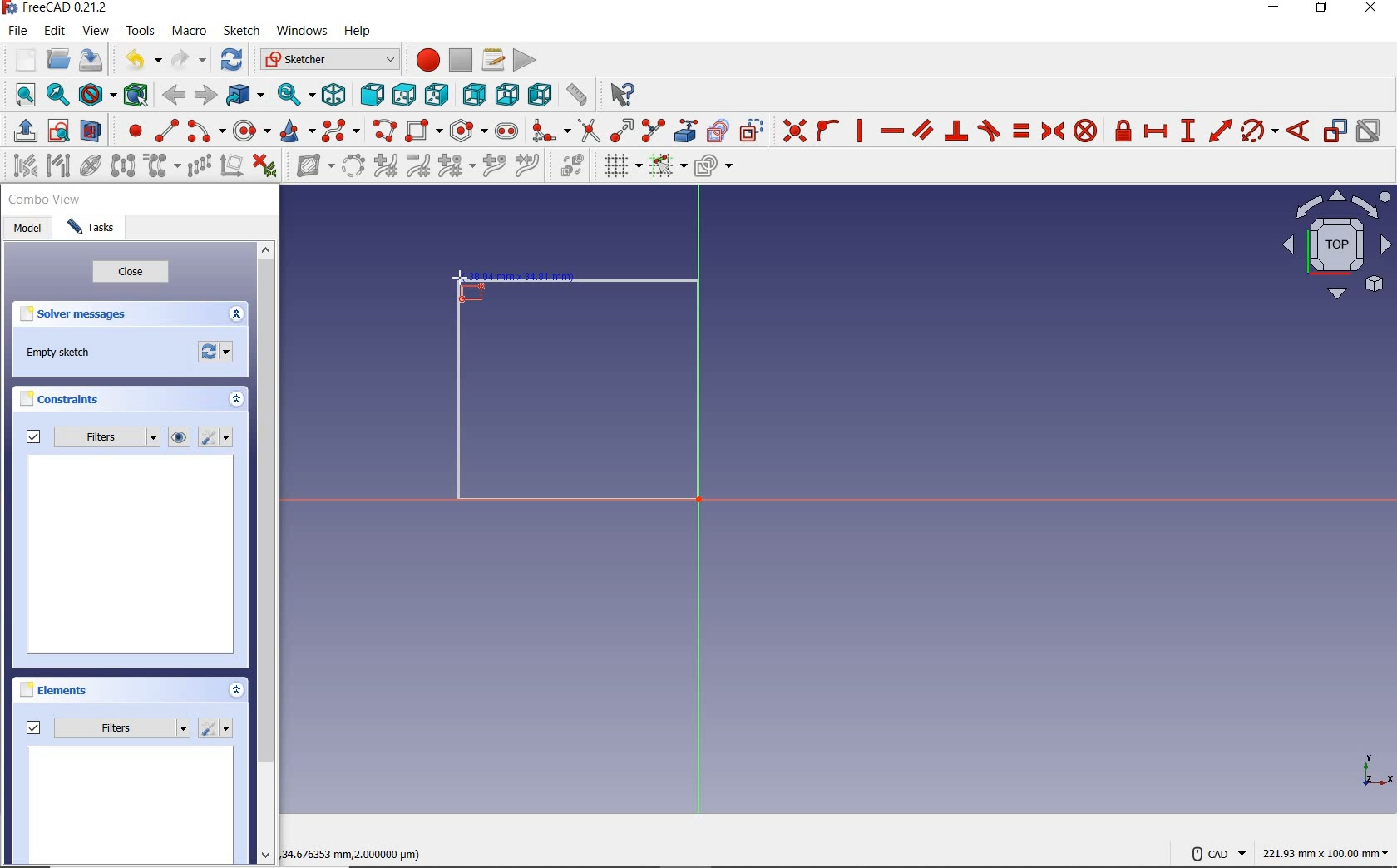 The image size is (1397, 868). What do you see at coordinates (217, 728) in the screenshot?
I see `settings` at bounding box center [217, 728].